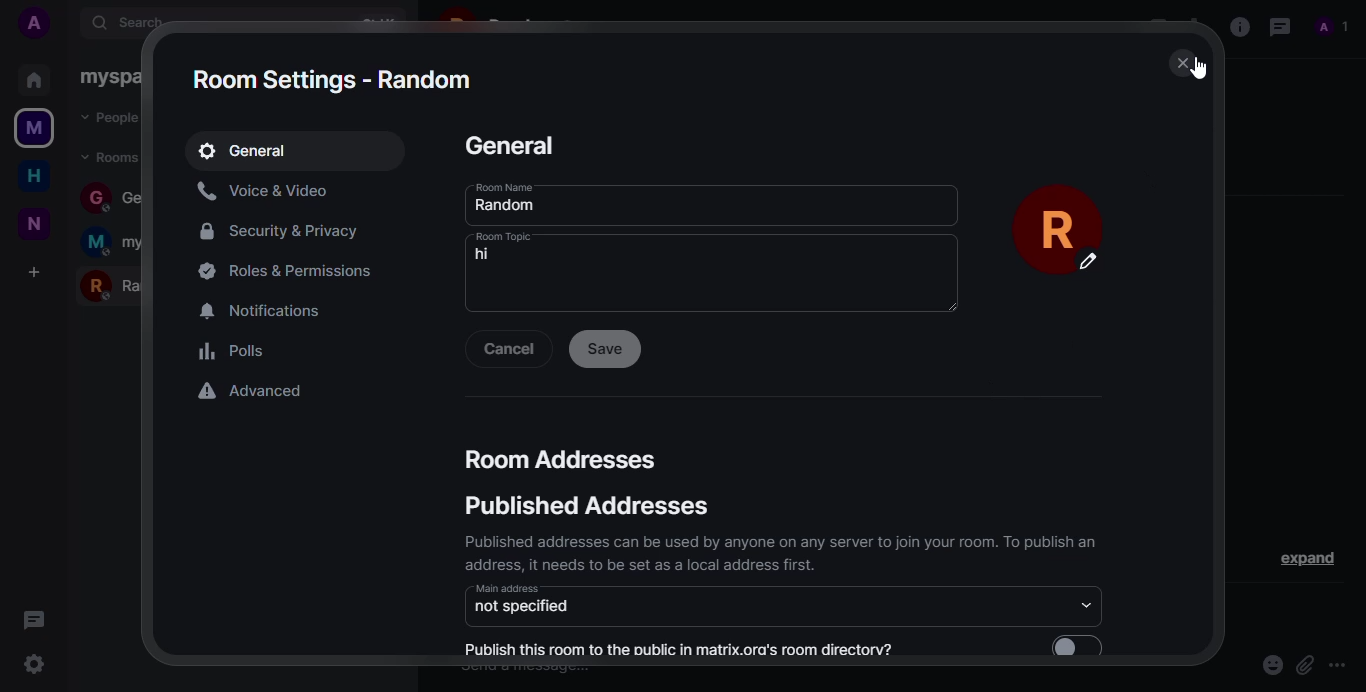  What do you see at coordinates (139, 22) in the screenshot?
I see `search` at bounding box center [139, 22].